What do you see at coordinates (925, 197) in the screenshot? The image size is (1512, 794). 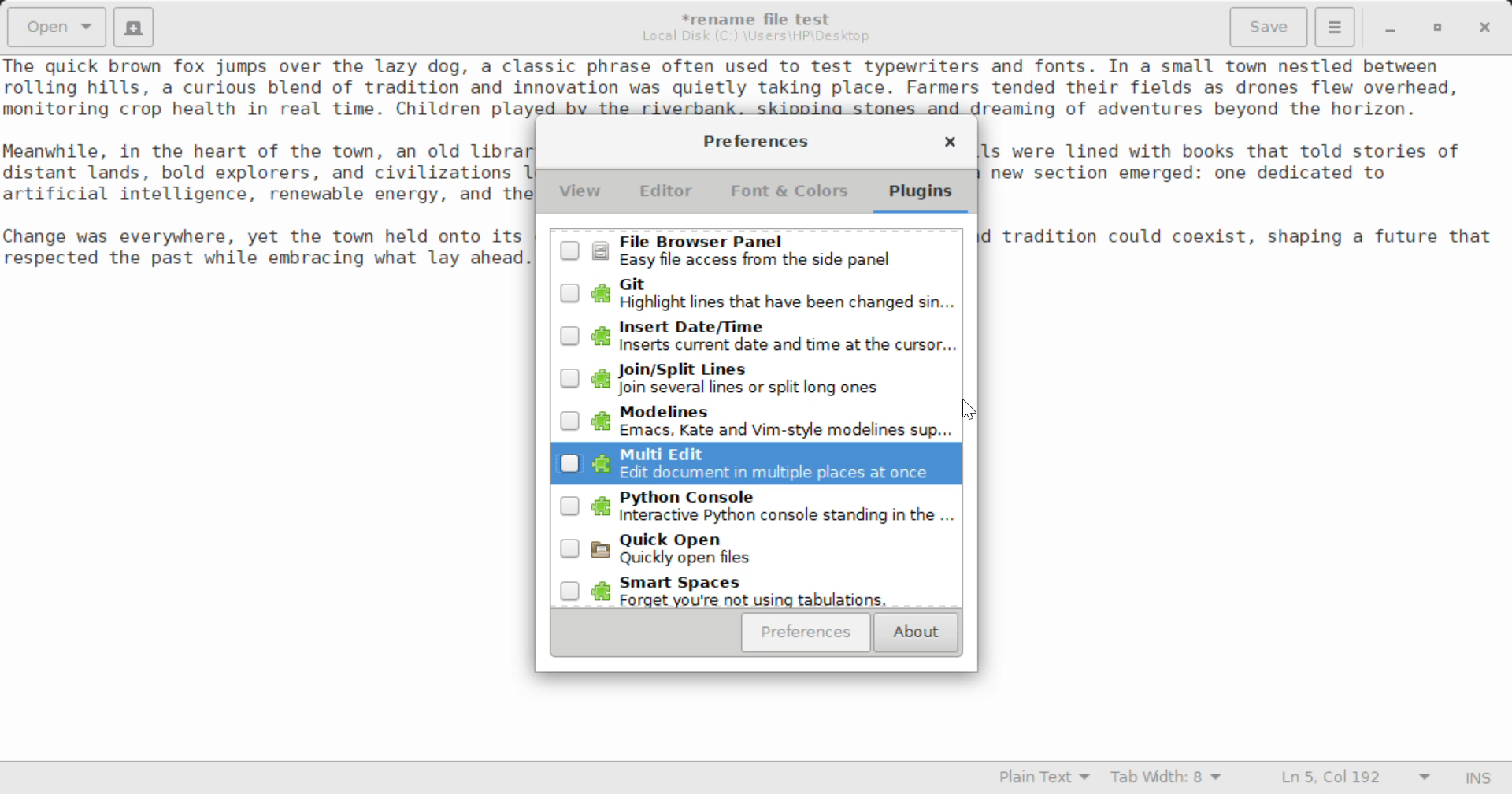 I see `Plugins Tab Selected` at bounding box center [925, 197].